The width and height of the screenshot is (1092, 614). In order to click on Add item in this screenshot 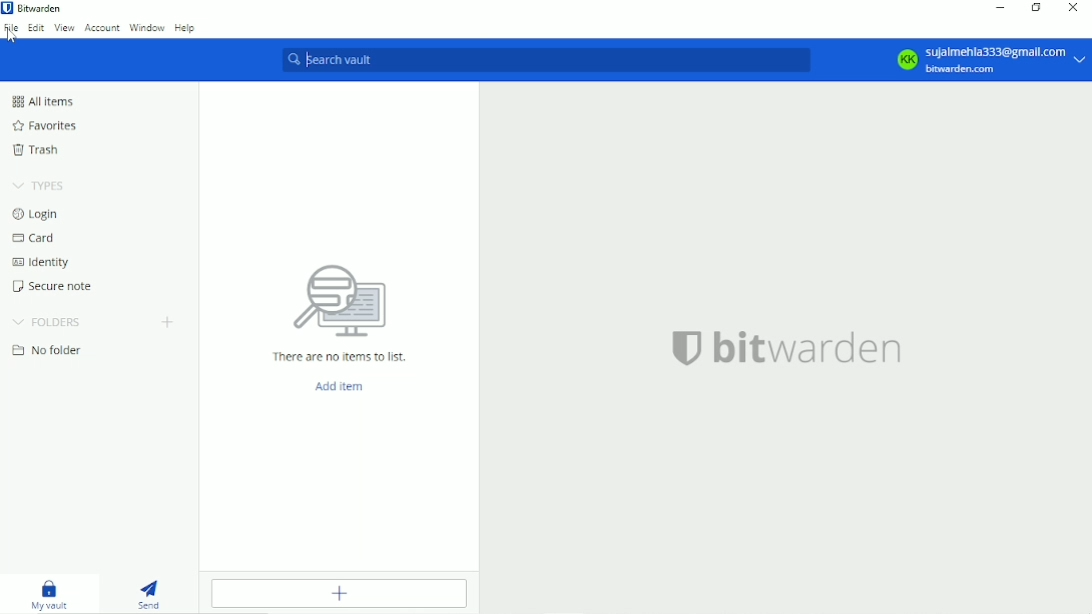, I will do `click(344, 594)`.